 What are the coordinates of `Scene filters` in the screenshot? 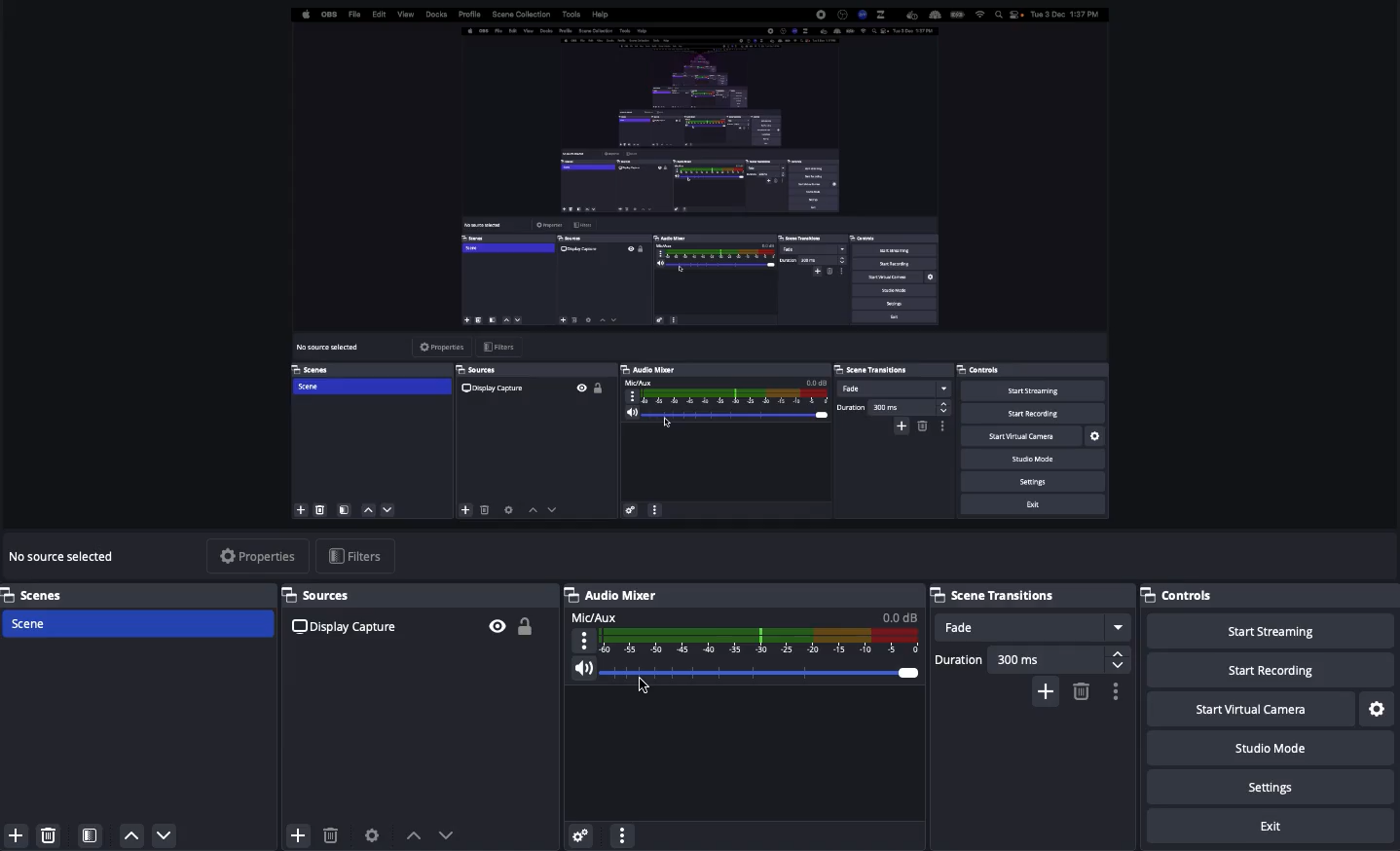 It's located at (91, 832).